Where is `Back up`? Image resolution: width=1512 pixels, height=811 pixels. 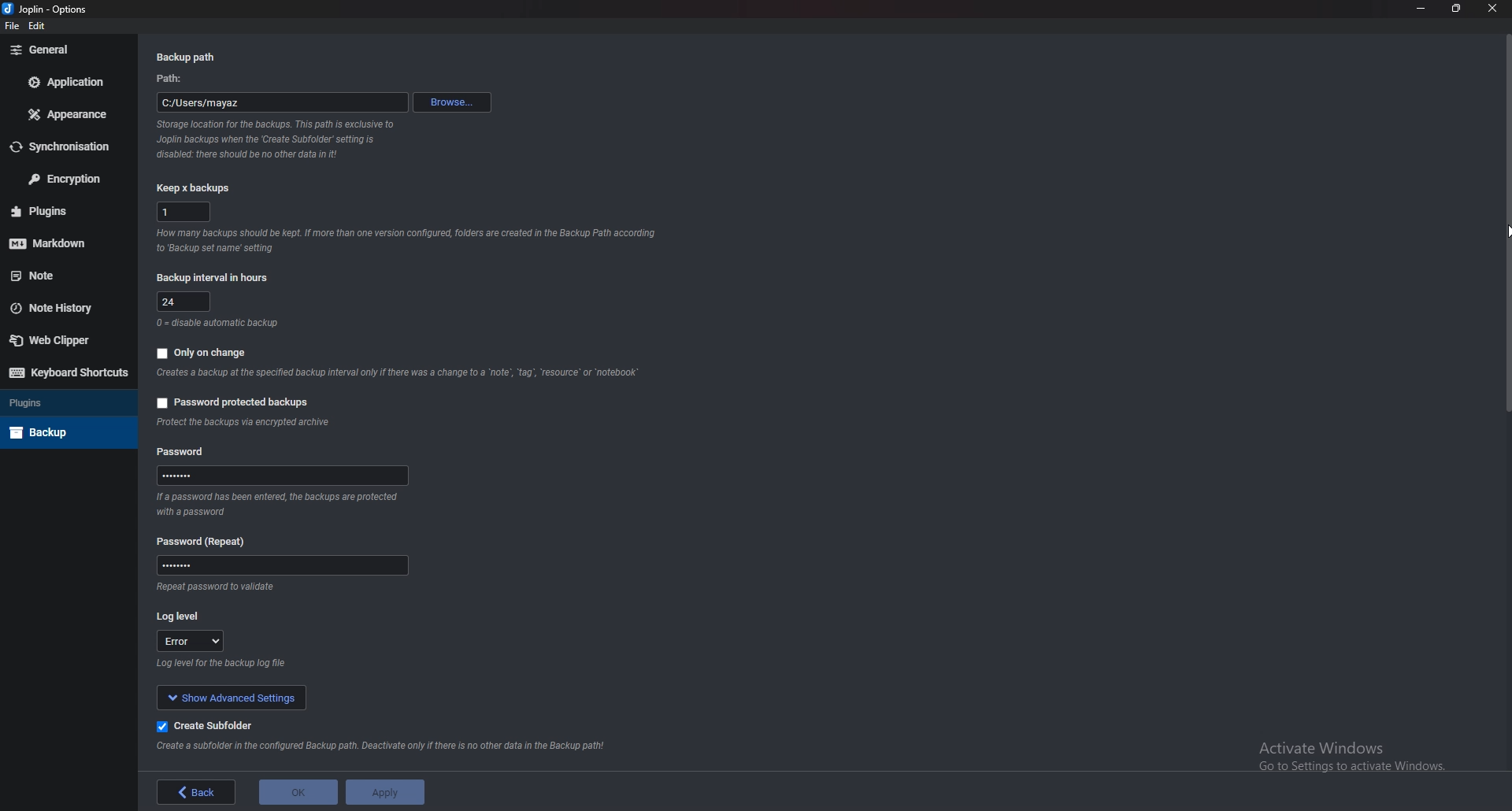
Back up is located at coordinates (64, 432).